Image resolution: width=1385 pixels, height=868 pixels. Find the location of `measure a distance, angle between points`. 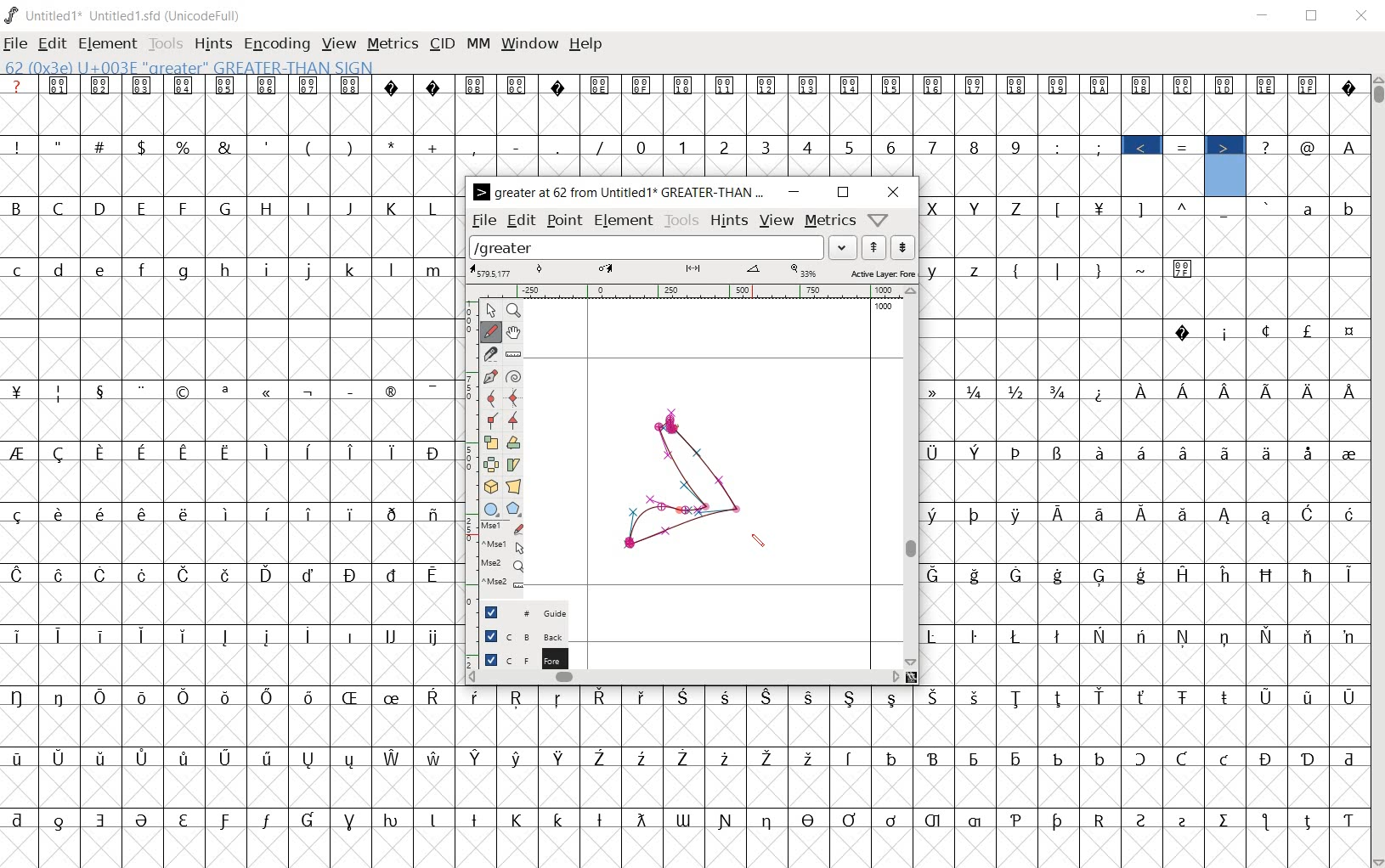

measure a distance, angle between points is located at coordinates (513, 352).